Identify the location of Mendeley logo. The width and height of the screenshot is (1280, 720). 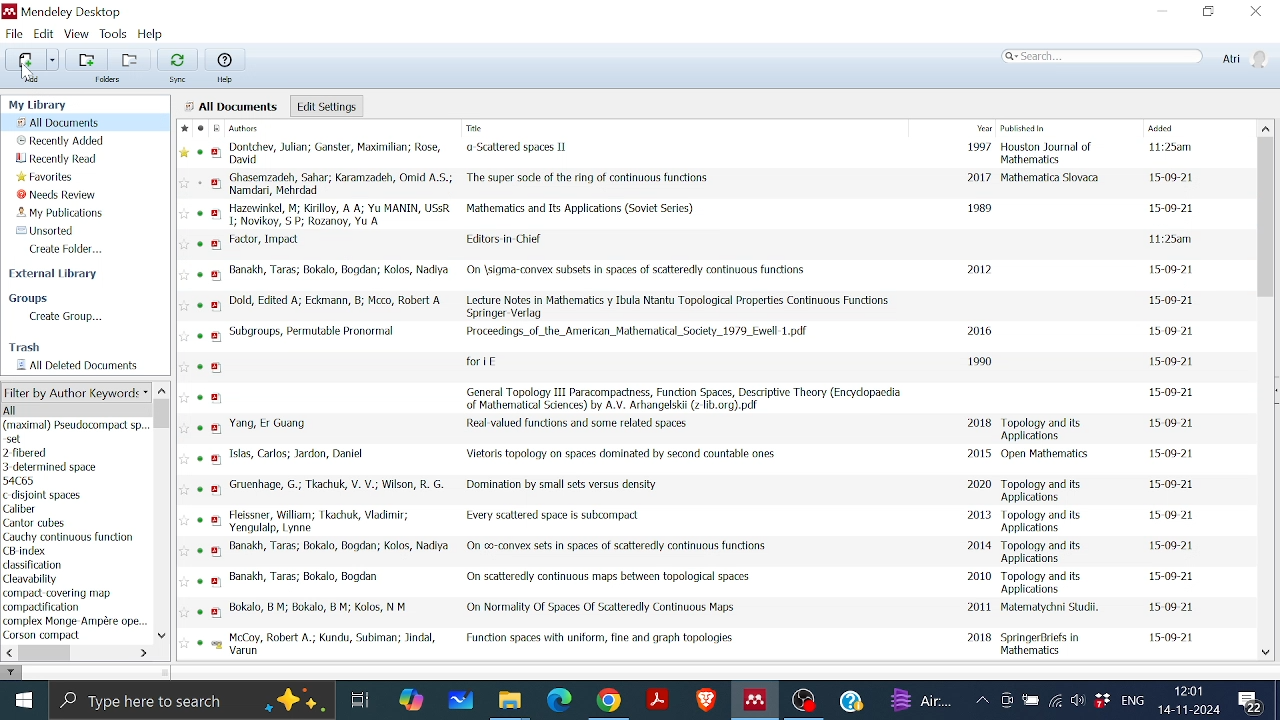
(71, 12).